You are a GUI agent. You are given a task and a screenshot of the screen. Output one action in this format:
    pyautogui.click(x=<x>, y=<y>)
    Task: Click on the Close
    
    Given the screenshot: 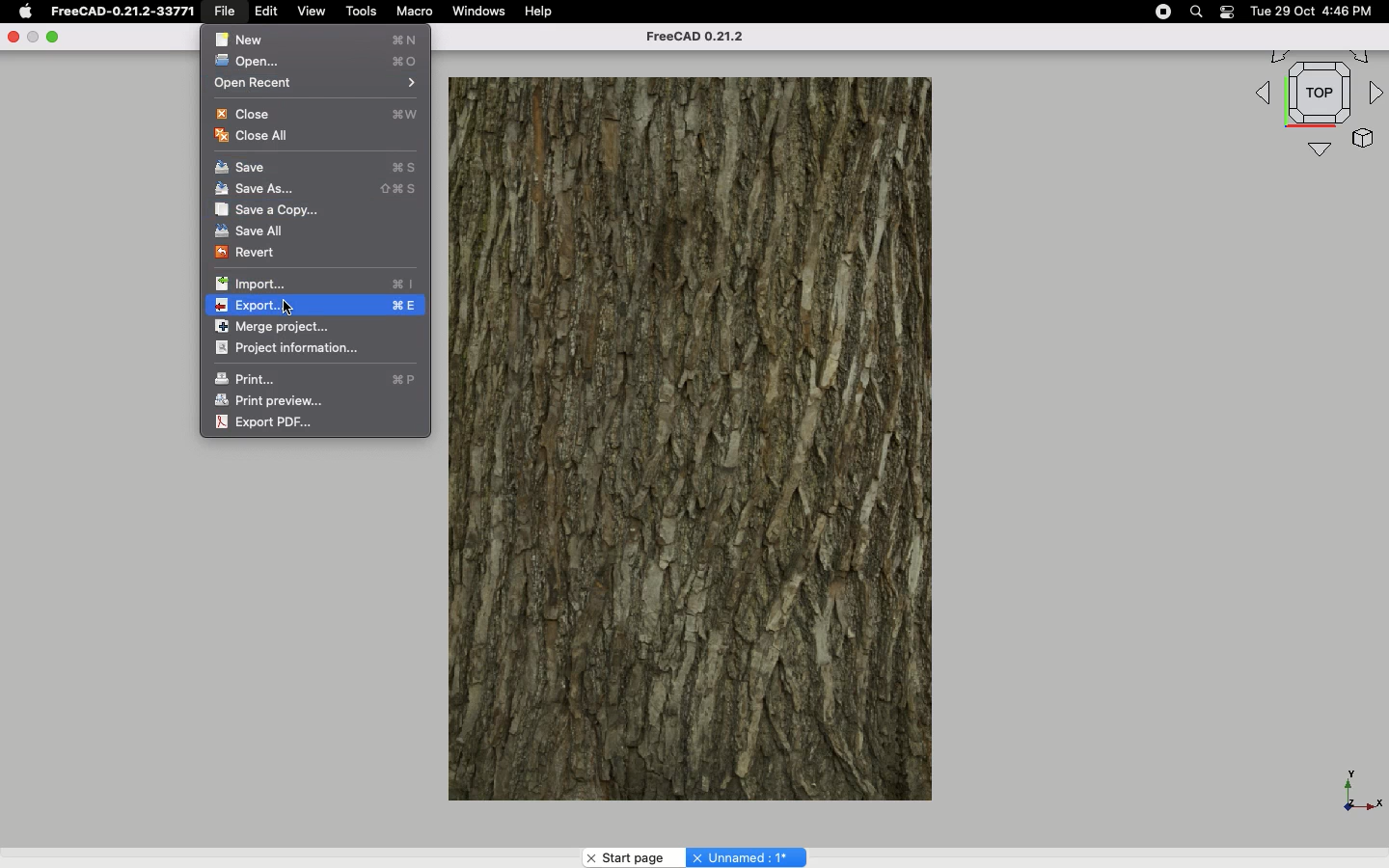 What is the action you would take?
    pyautogui.click(x=320, y=116)
    